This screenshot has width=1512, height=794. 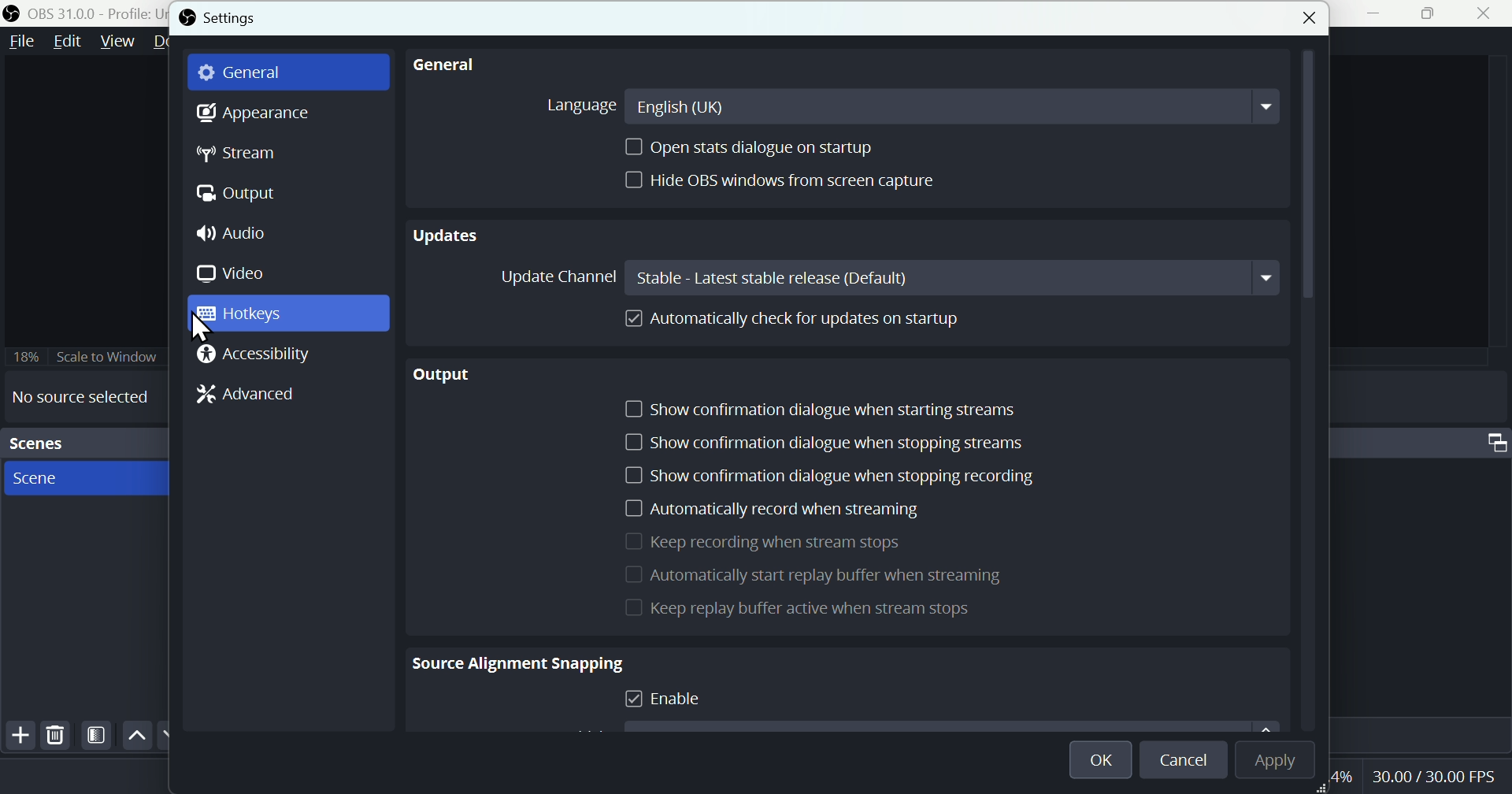 What do you see at coordinates (225, 18) in the screenshot?
I see `Settings` at bounding box center [225, 18].